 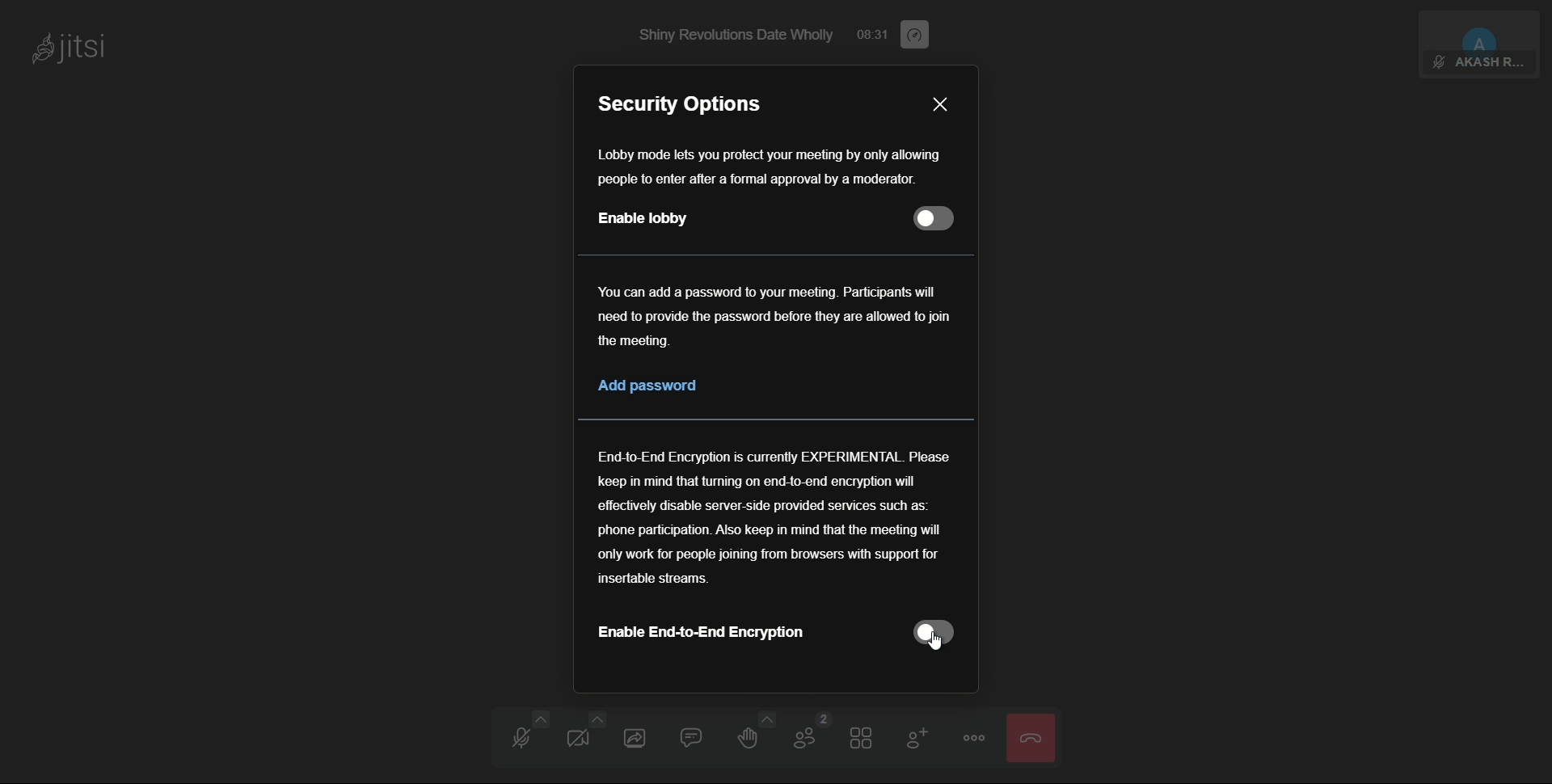 What do you see at coordinates (864, 735) in the screenshot?
I see `toggle tile view` at bounding box center [864, 735].